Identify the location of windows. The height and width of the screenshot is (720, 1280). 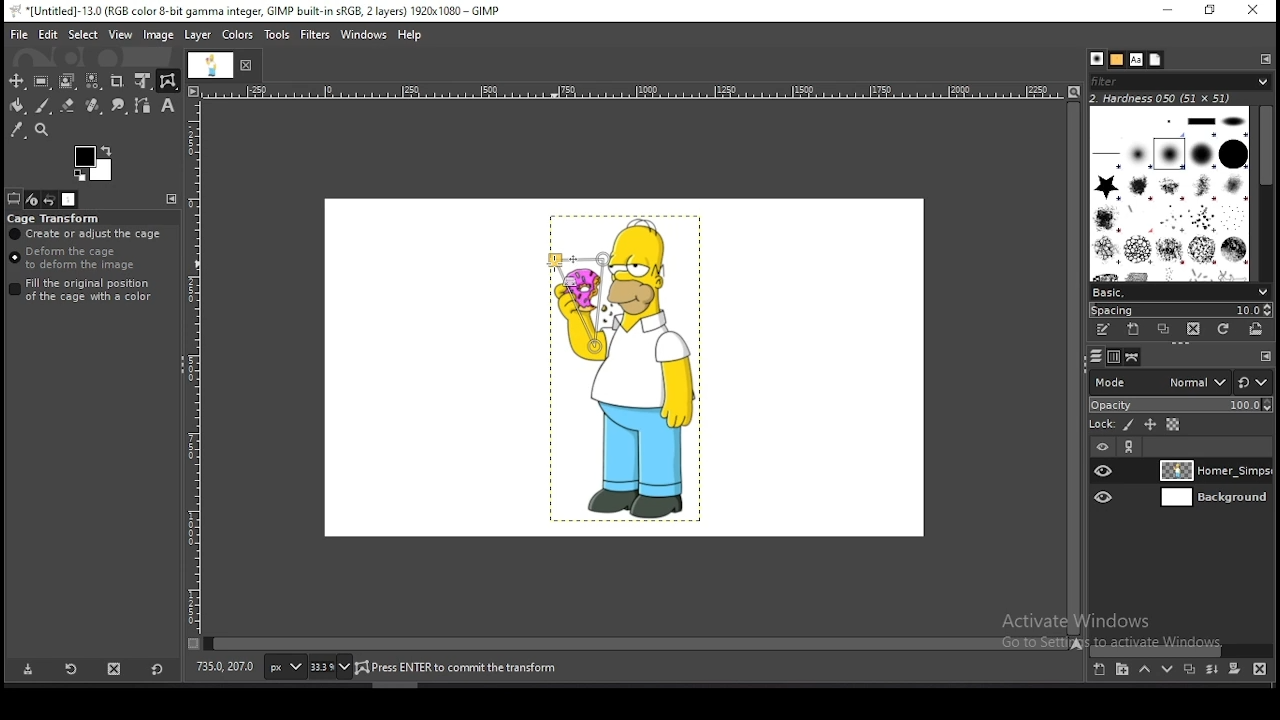
(364, 33).